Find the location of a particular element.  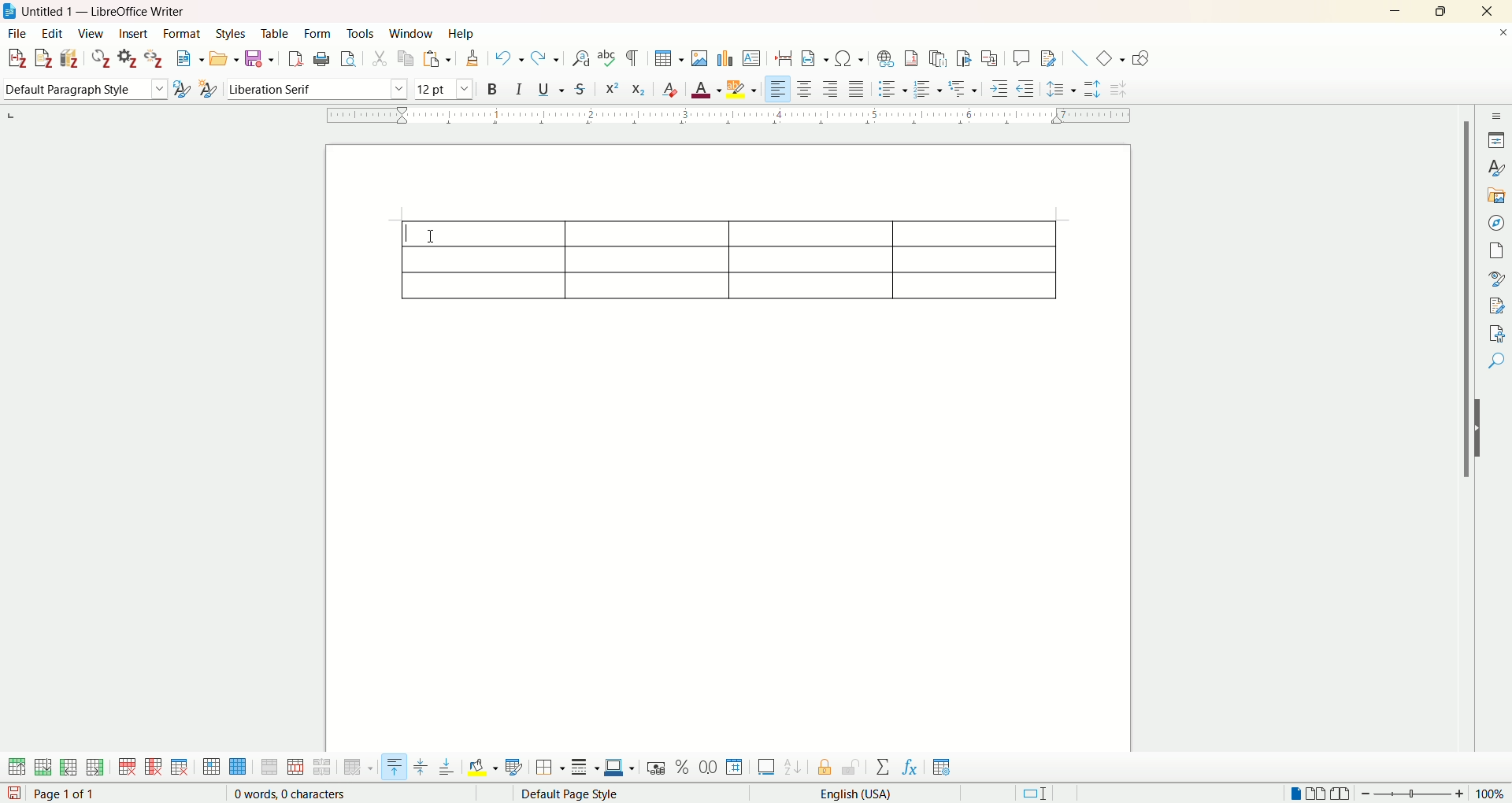

save is located at coordinates (259, 57).